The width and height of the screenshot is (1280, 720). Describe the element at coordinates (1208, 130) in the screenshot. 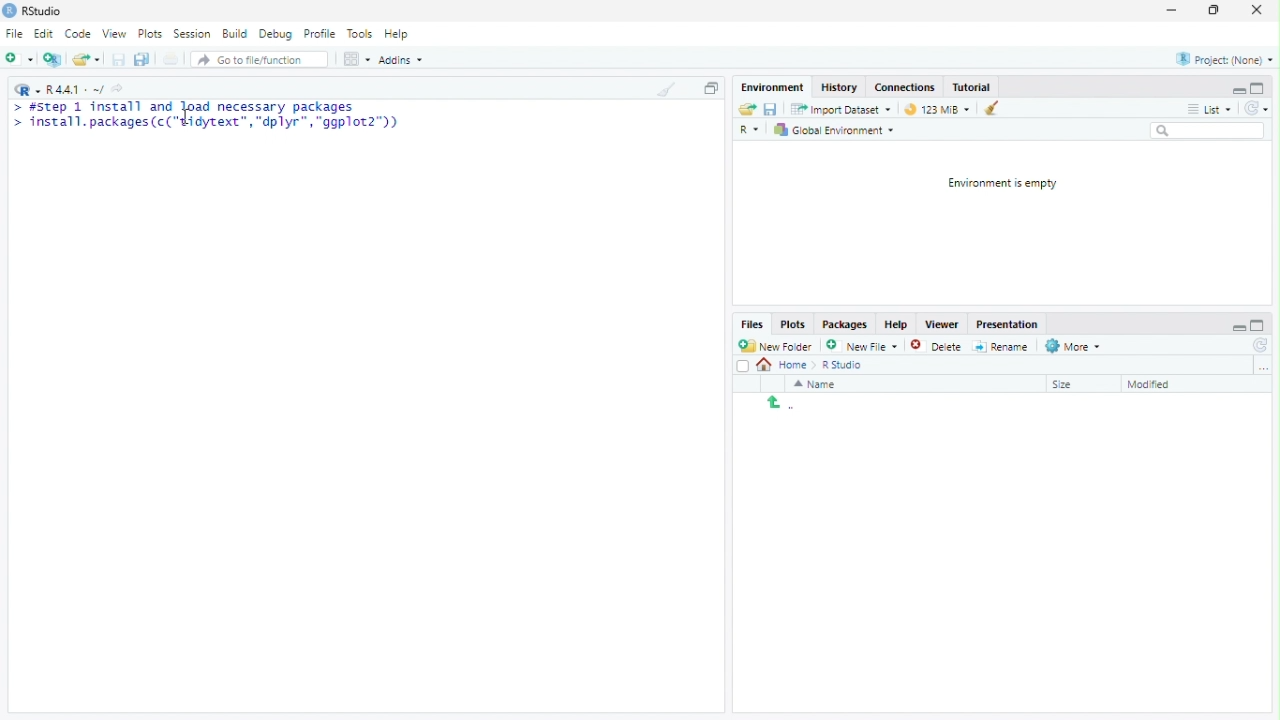

I see `Search` at that location.